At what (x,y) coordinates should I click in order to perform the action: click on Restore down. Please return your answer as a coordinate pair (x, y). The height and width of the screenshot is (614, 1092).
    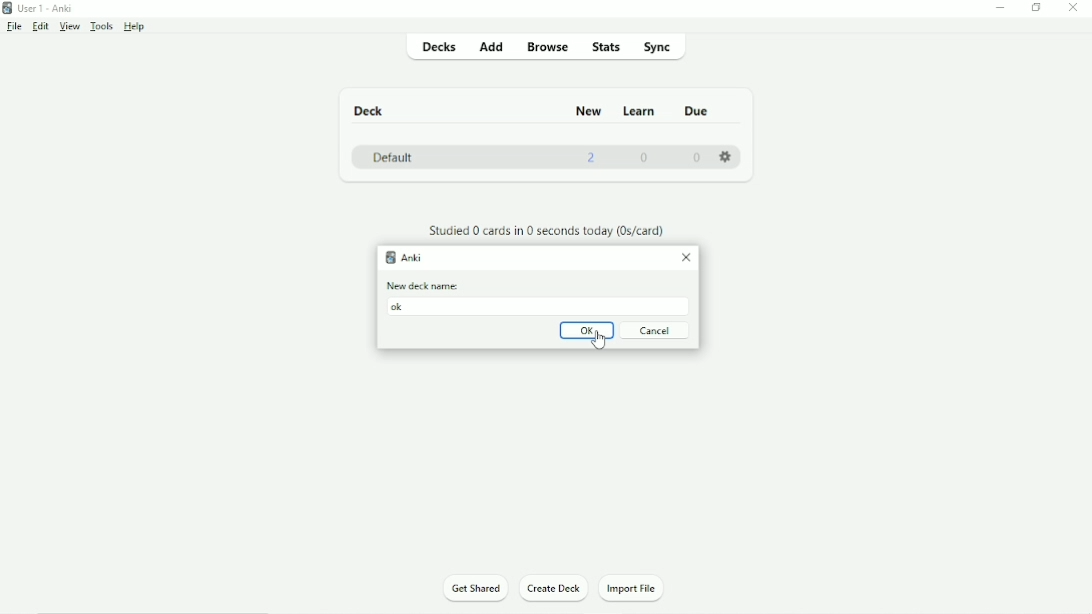
    Looking at the image, I should click on (1037, 8).